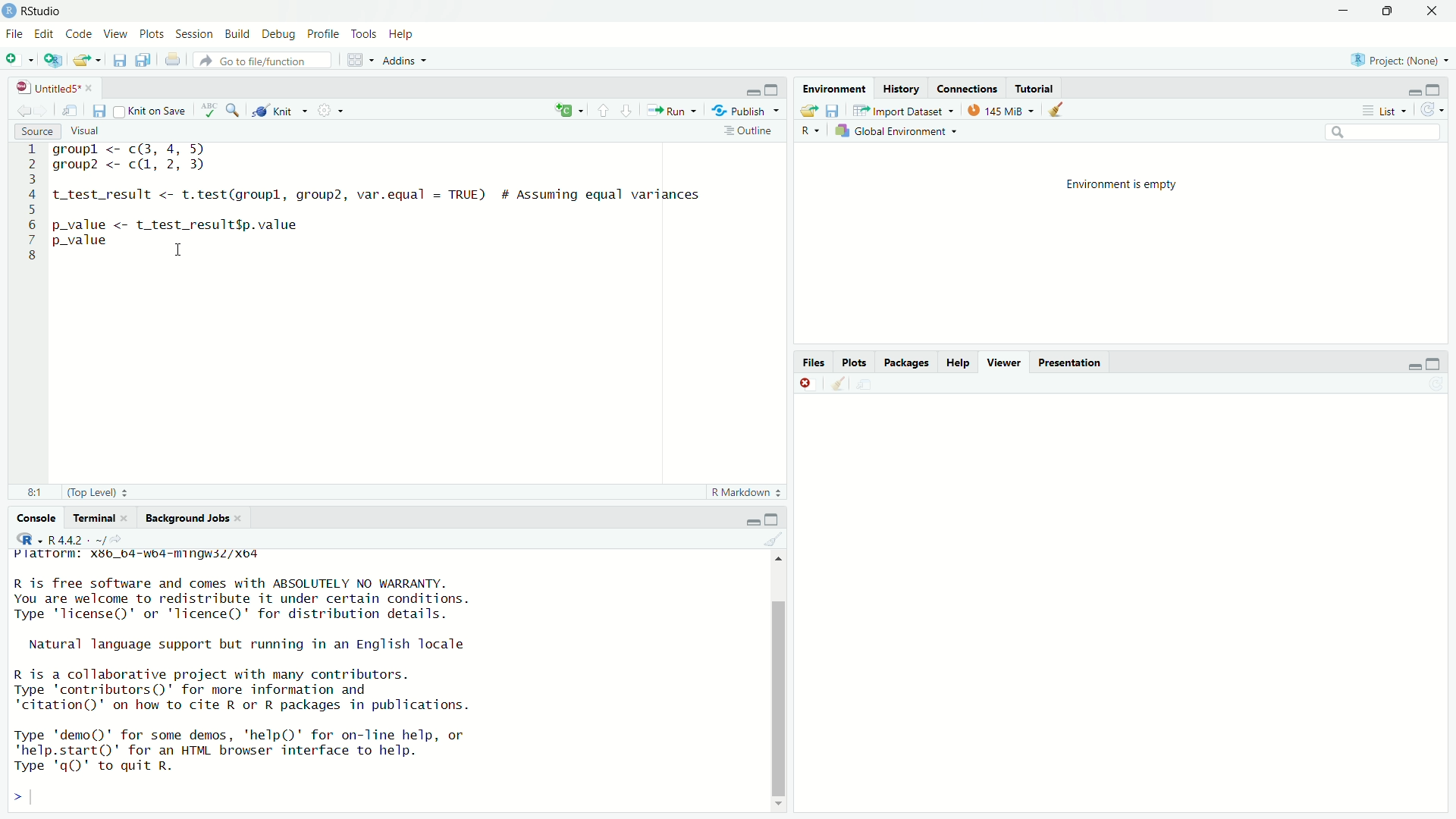 The width and height of the screenshot is (1456, 819). What do you see at coordinates (70, 109) in the screenshot?
I see `show in new window` at bounding box center [70, 109].